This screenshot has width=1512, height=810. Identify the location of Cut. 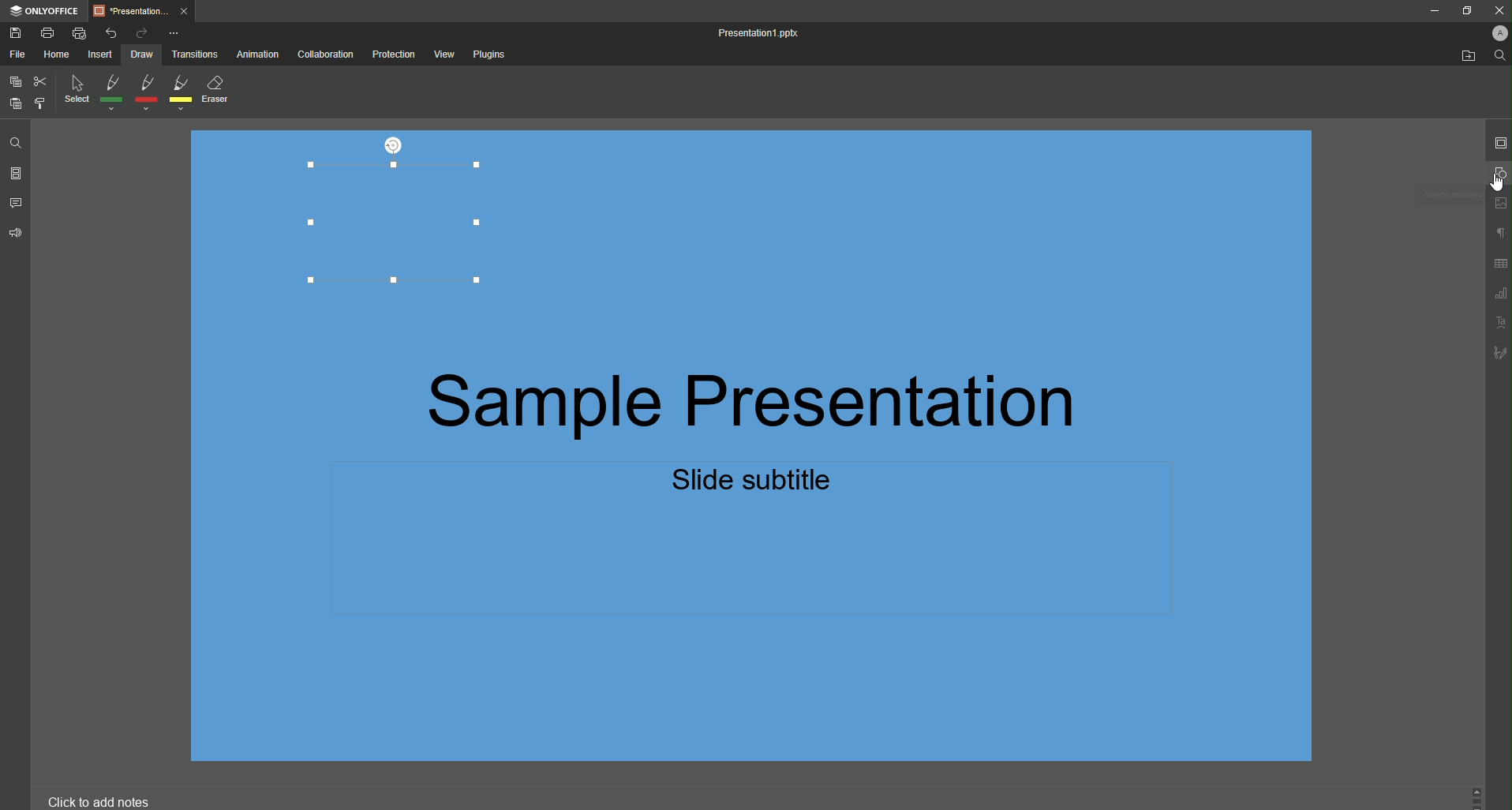
(39, 81).